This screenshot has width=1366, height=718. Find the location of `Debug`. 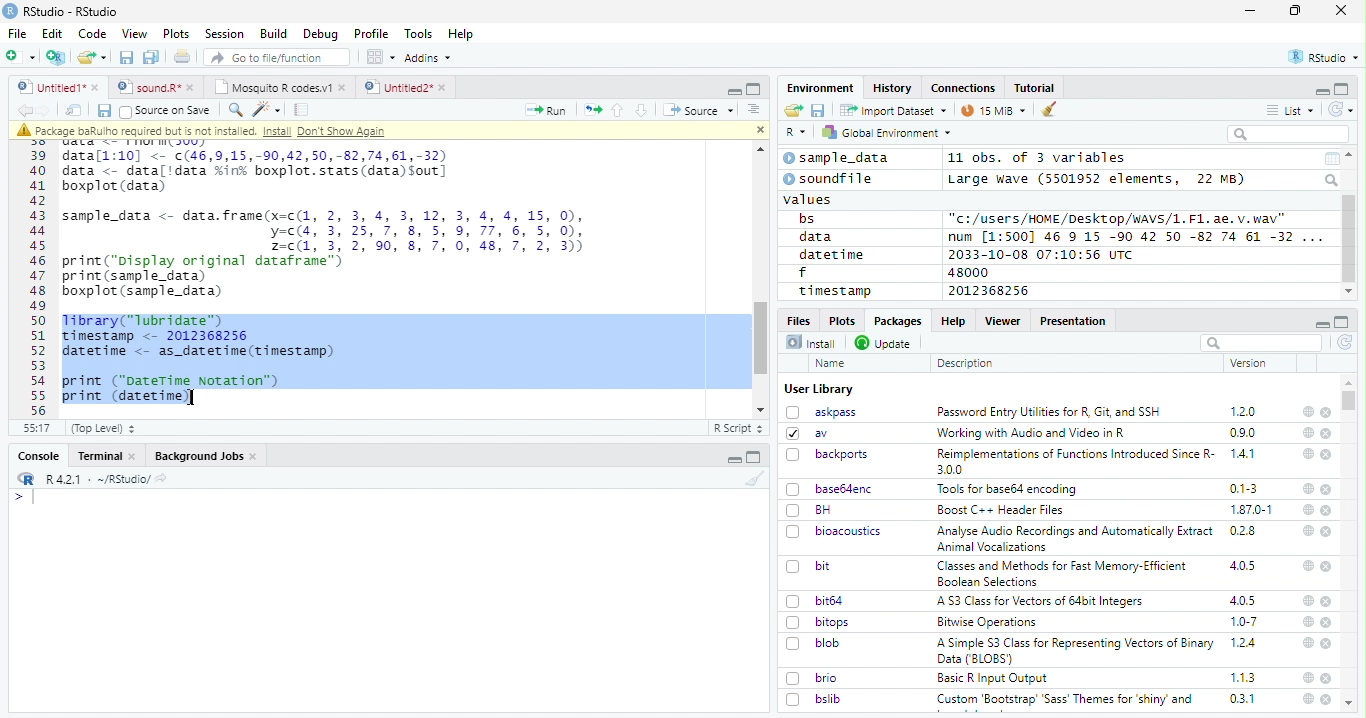

Debug is located at coordinates (321, 34).